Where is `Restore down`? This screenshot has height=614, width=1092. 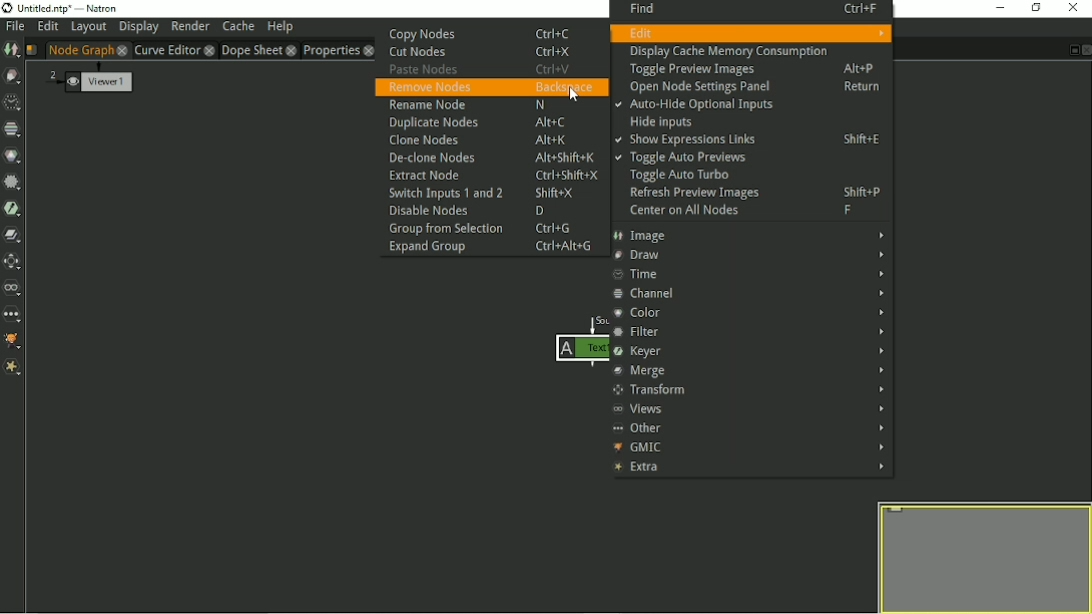 Restore down is located at coordinates (1037, 8).